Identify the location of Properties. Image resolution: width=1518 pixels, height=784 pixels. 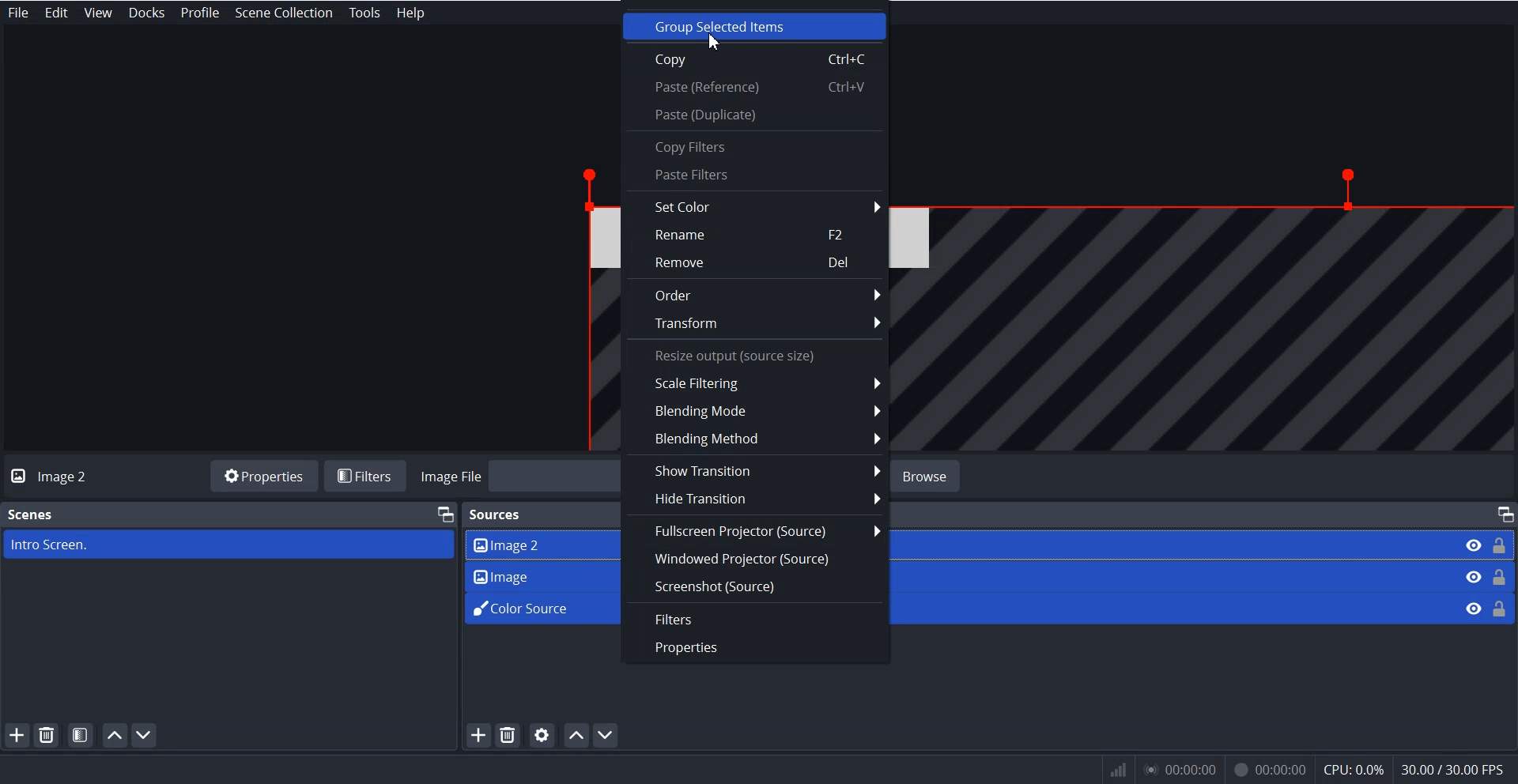
(259, 476).